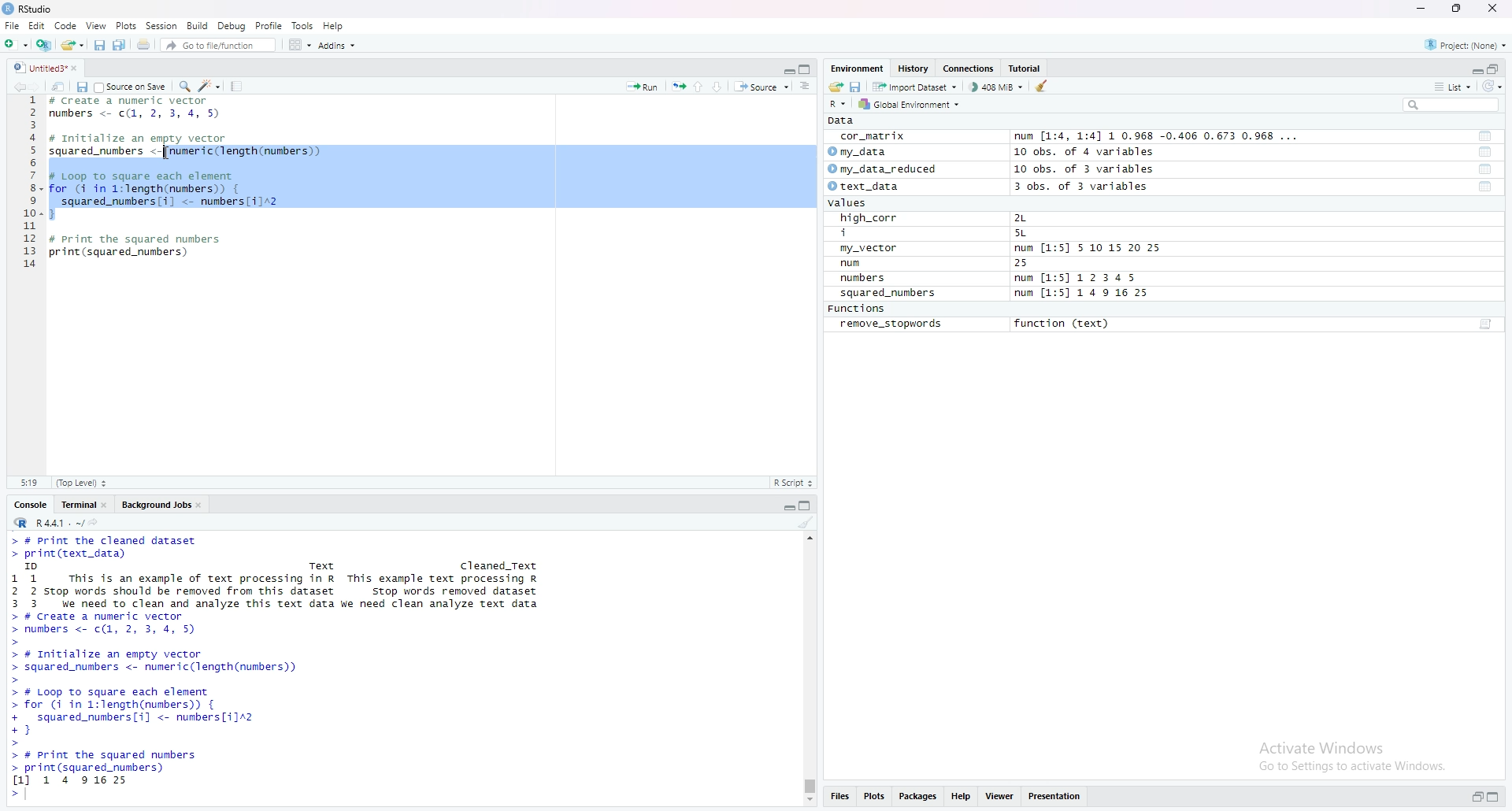 Image resolution: width=1512 pixels, height=811 pixels. What do you see at coordinates (81, 483) in the screenshot?
I see `(Top Level)` at bounding box center [81, 483].